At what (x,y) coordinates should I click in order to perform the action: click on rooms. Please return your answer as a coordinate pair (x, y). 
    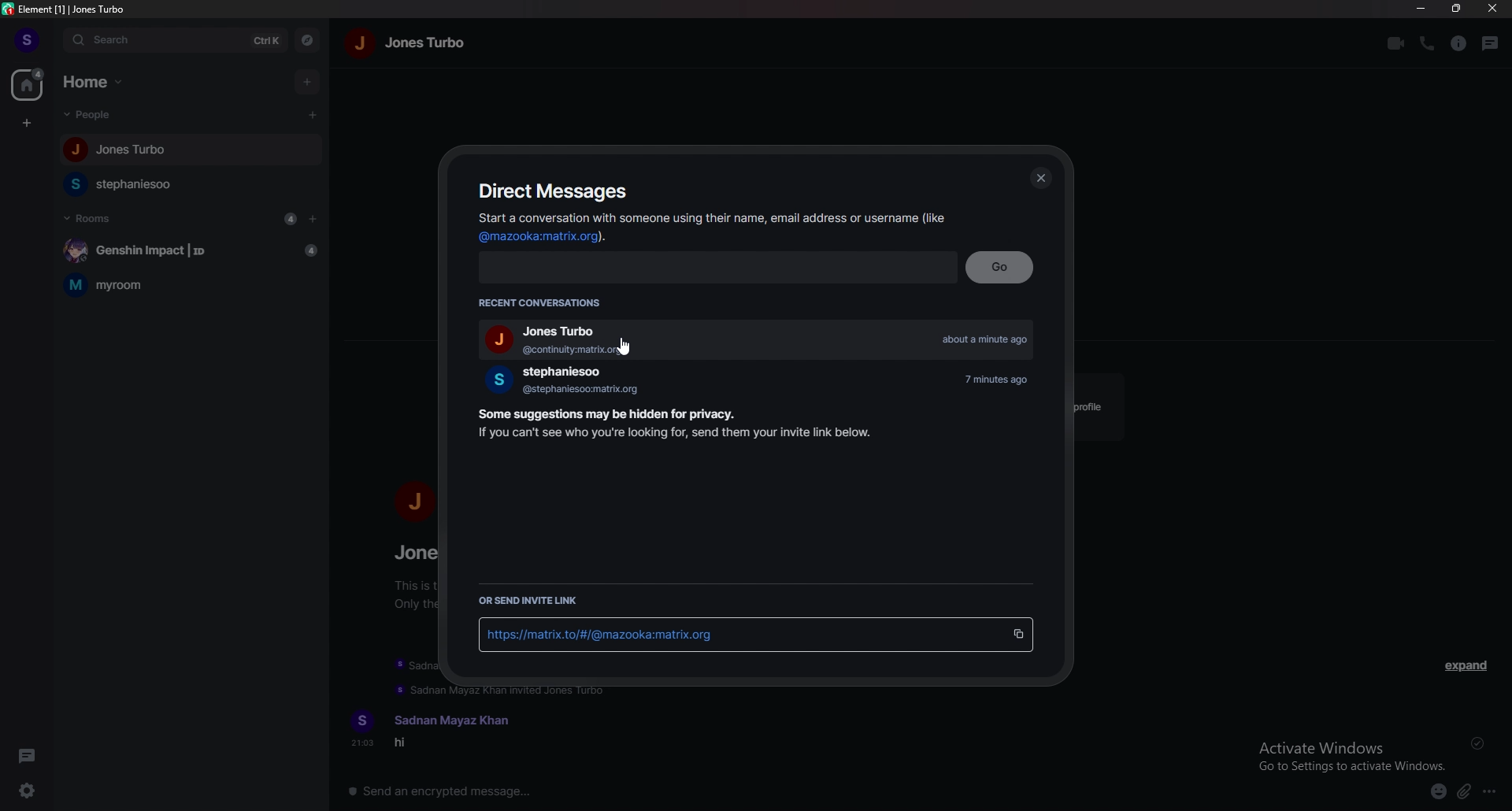
    Looking at the image, I should click on (89, 217).